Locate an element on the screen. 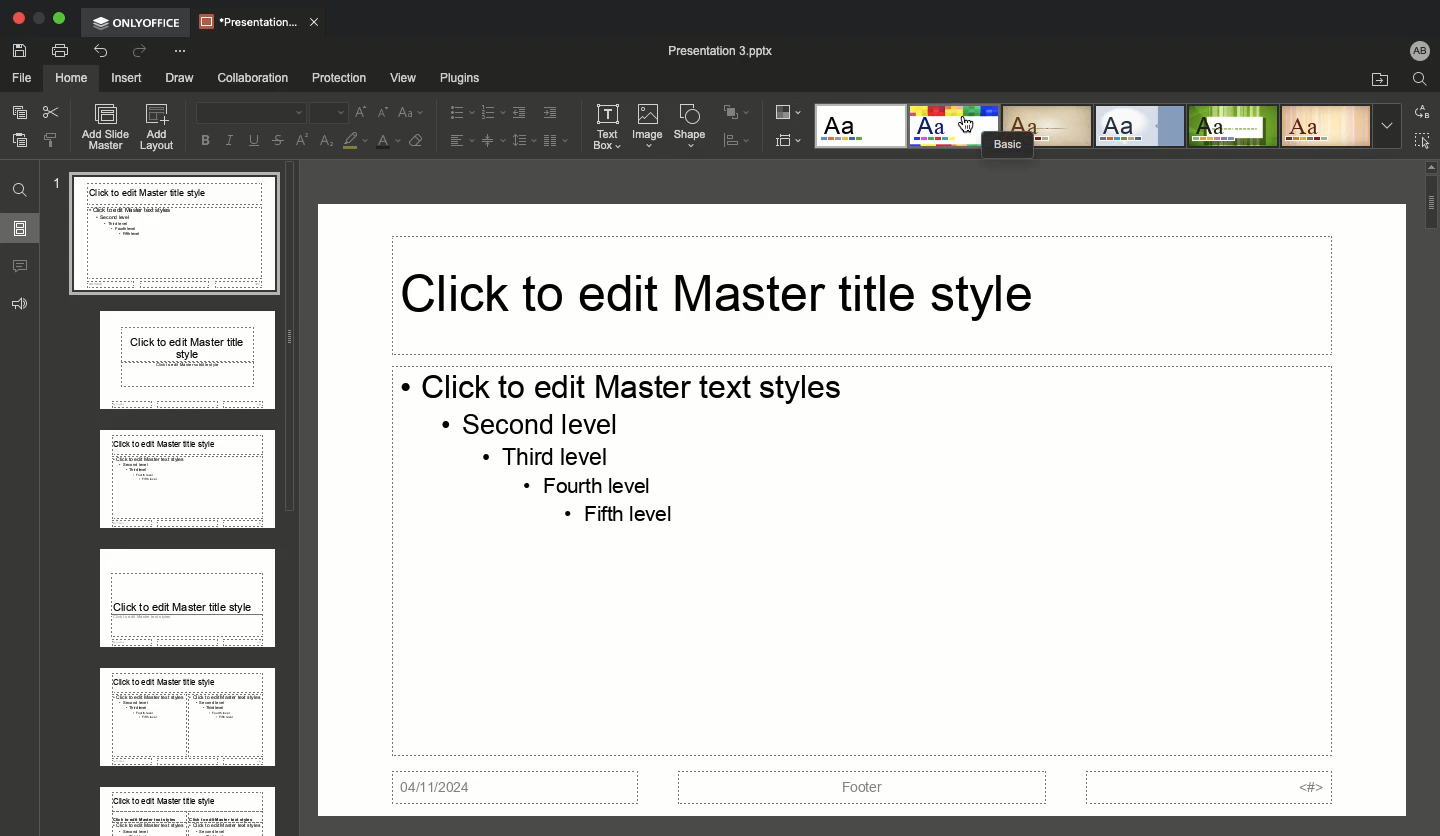 The height and width of the screenshot is (836, 1440). Comments is located at coordinates (23, 267).